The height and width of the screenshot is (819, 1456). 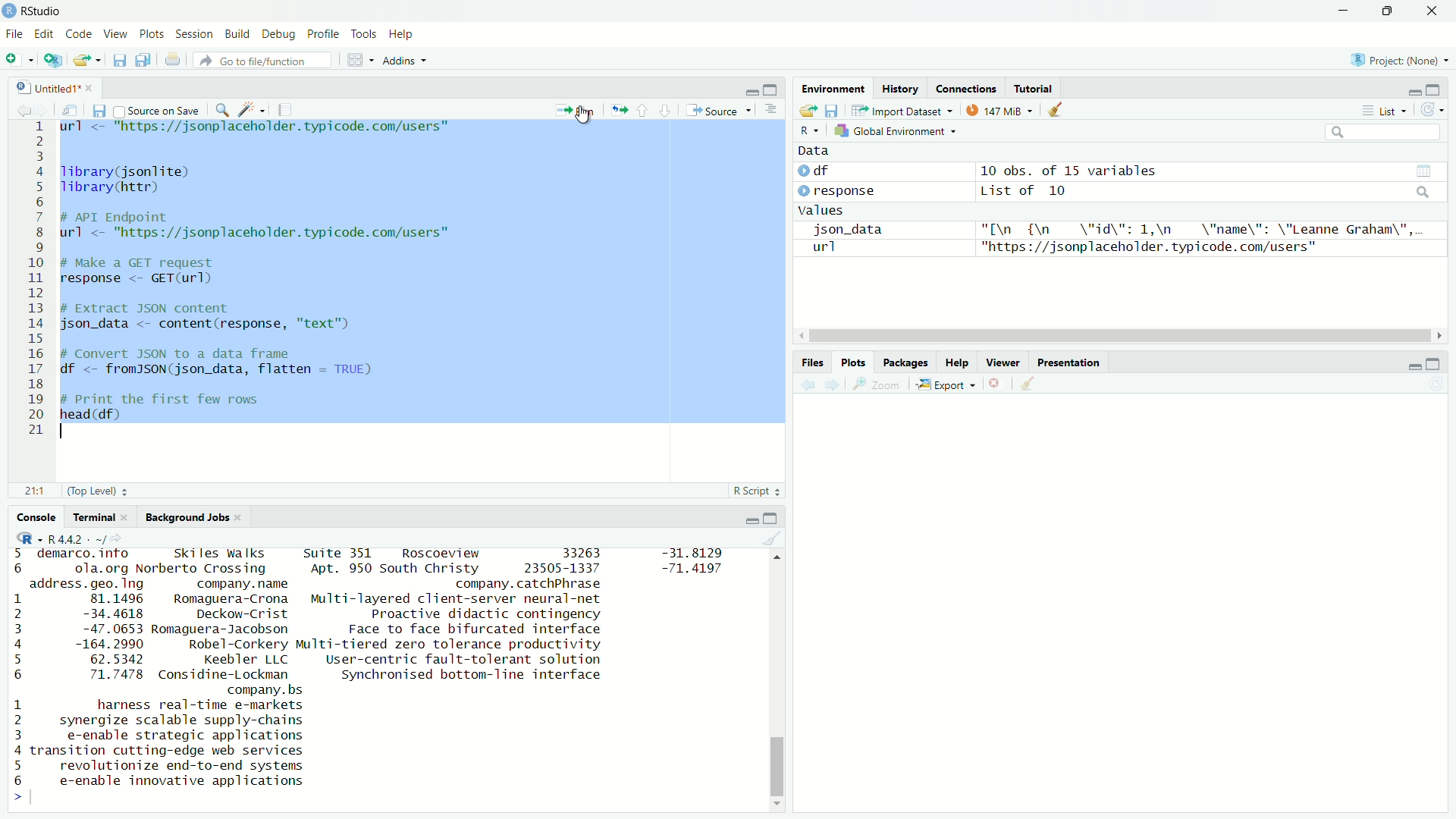 What do you see at coordinates (1059, 110) in the screenshot?
I see `Clear objects` at bounding box center [1059, 110].